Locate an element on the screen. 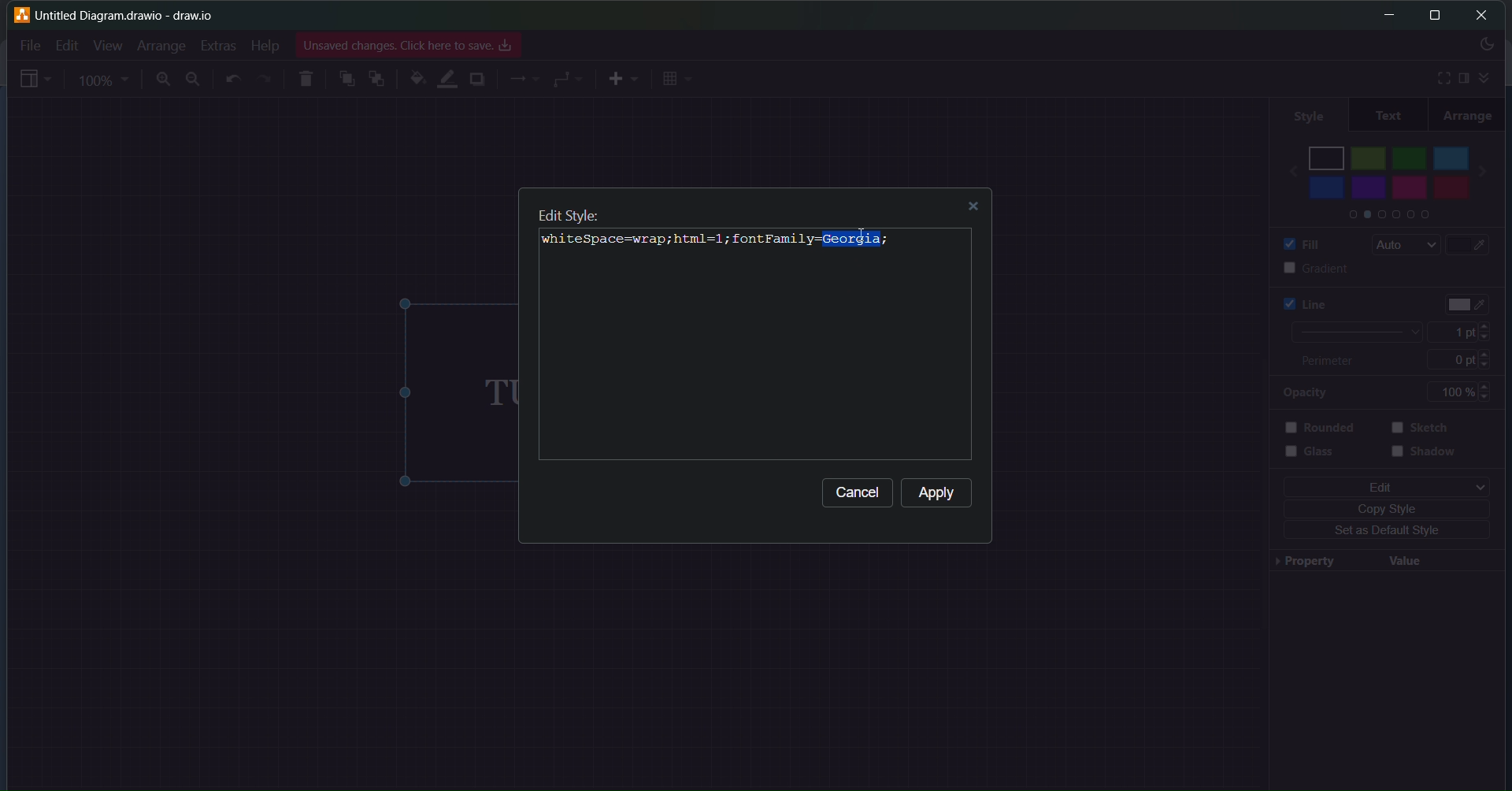 This screenshot has width=1512, height=791. value is located at coordinates (1406, 559).